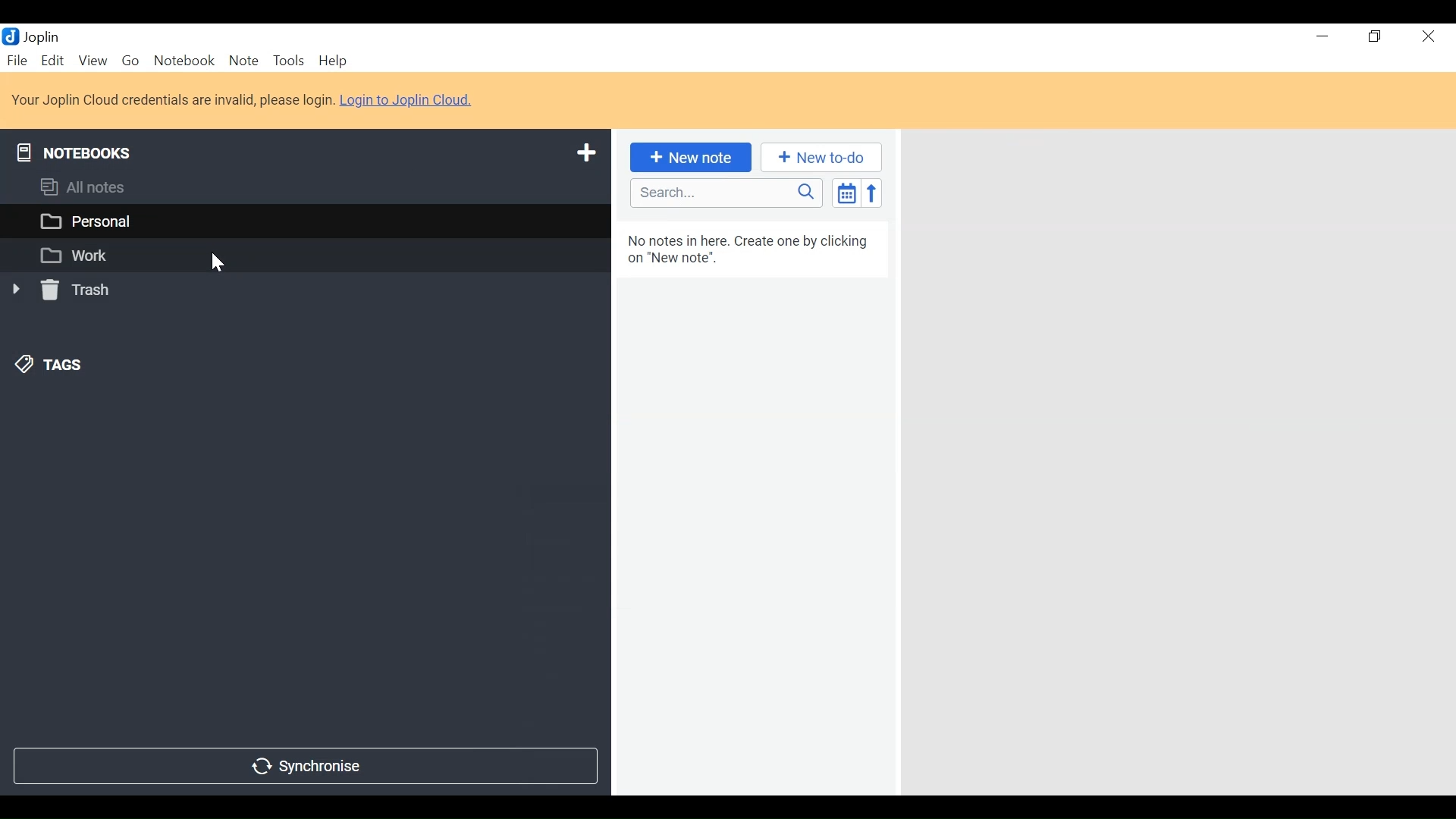  Describe the element at coordinates (331, 61) in the screenshot. I see `Help` at that location.